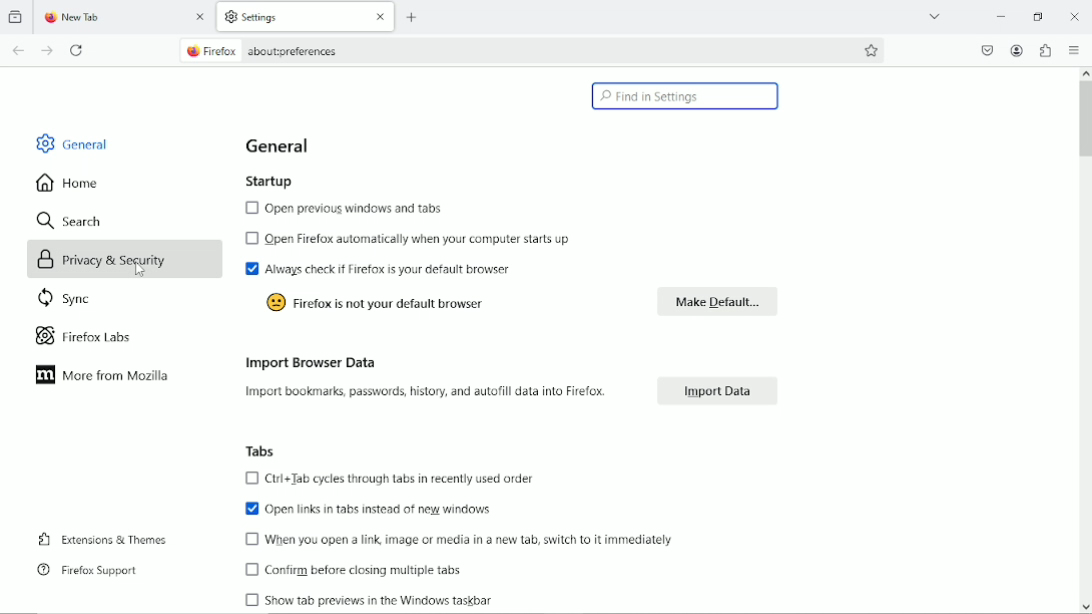 The height and width of the screenshot is (614, 1092). I want to click on bookmark this page, so click(872, 50).